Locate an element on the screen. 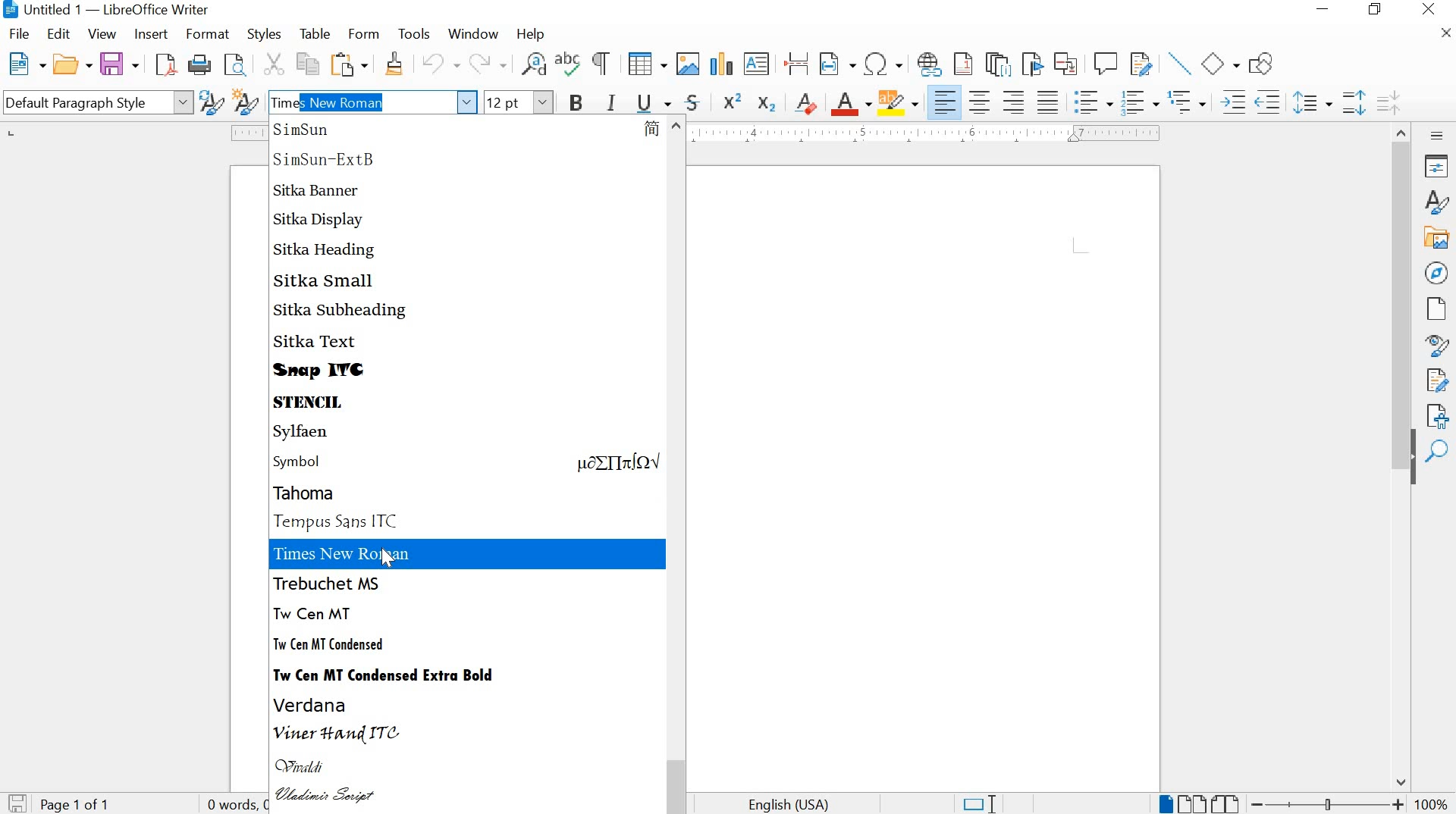 The height and width of the screenshot is (814, 1456). INSERT ENDNOTE is located at coordinates (996, 64).